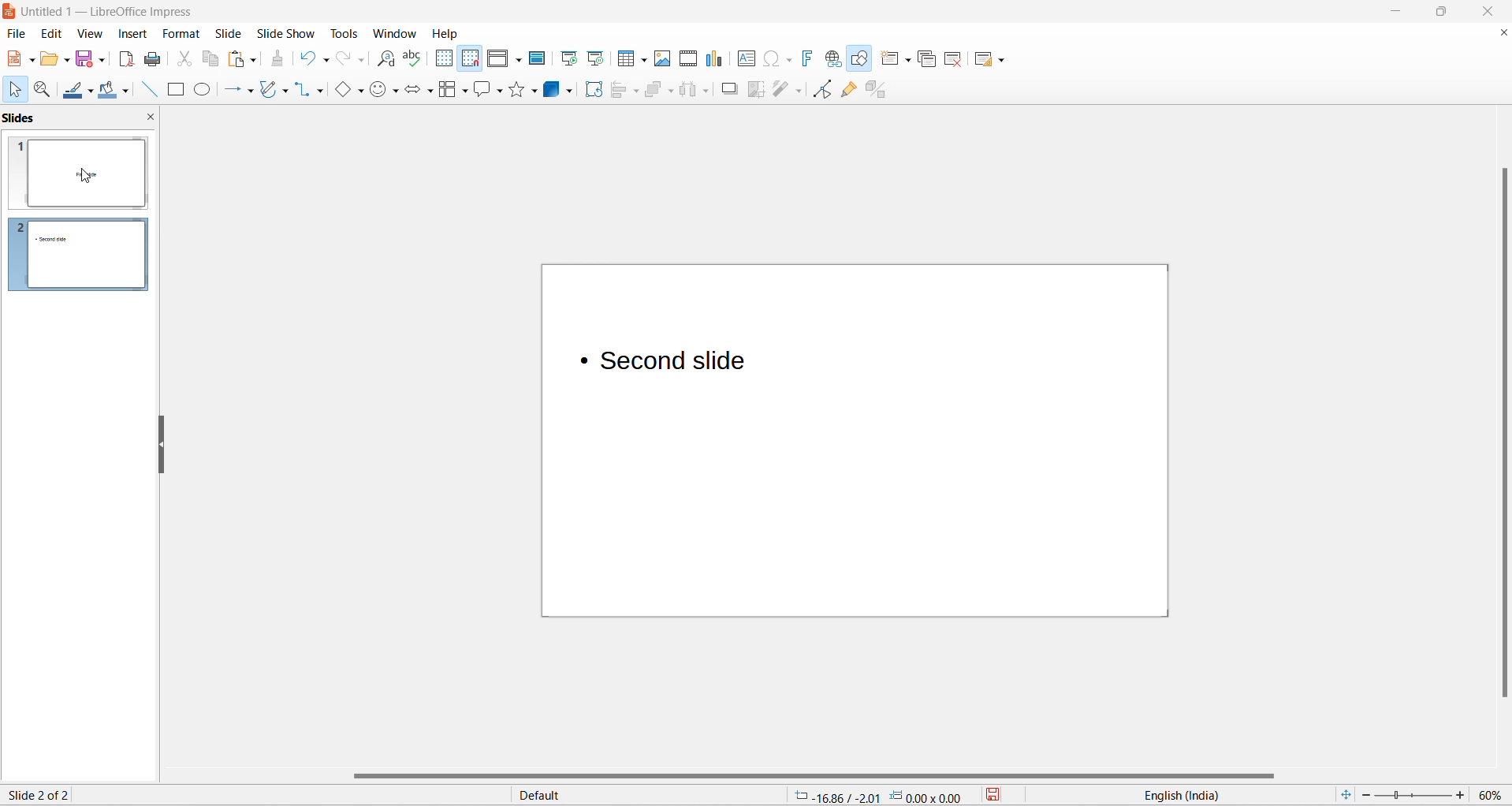 This screenshot has width=1512, height=806. I want to click on file title, so click(110, 12).